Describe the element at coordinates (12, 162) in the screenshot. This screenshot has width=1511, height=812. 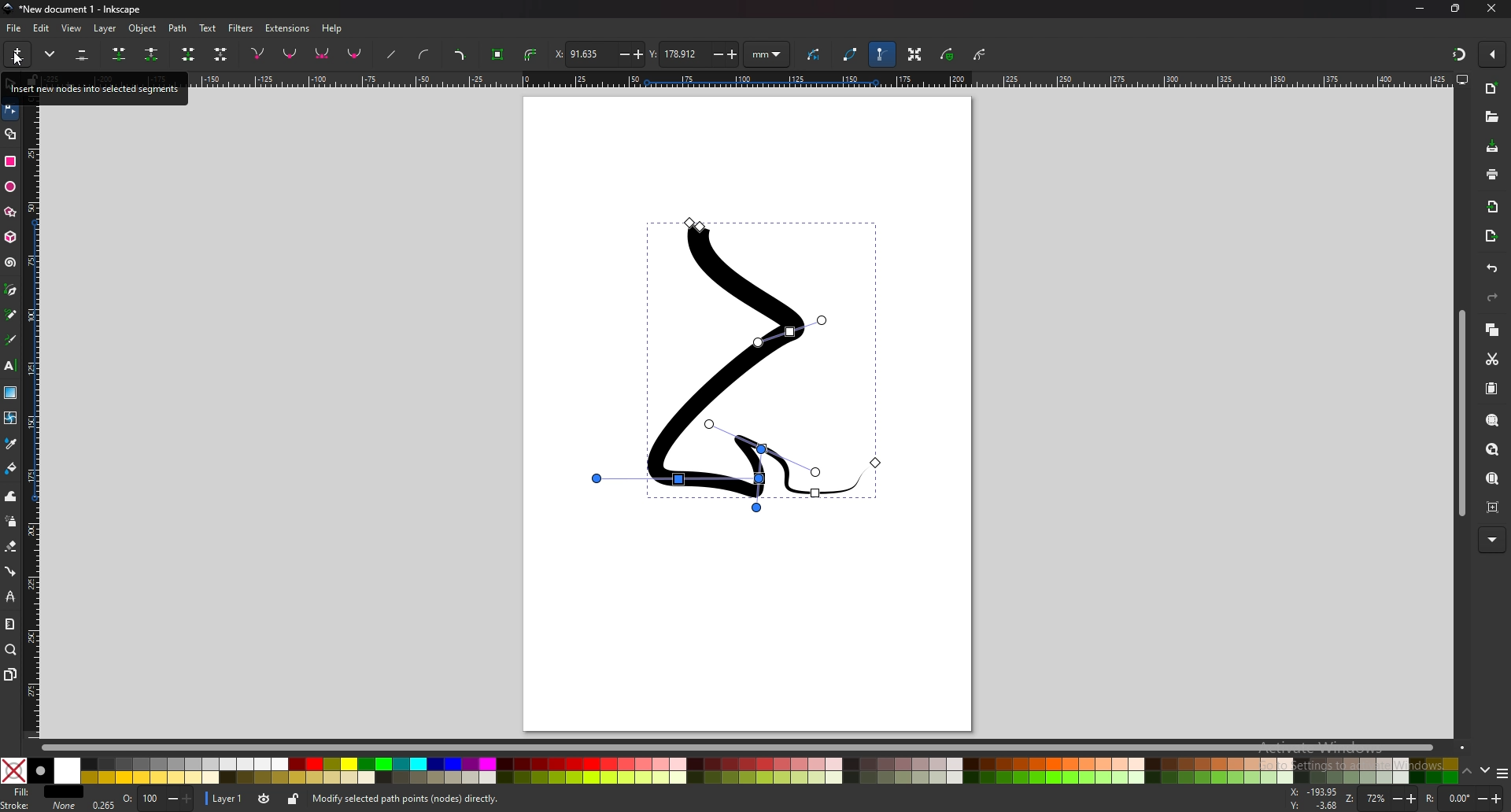
I see `rectangle` at that location.